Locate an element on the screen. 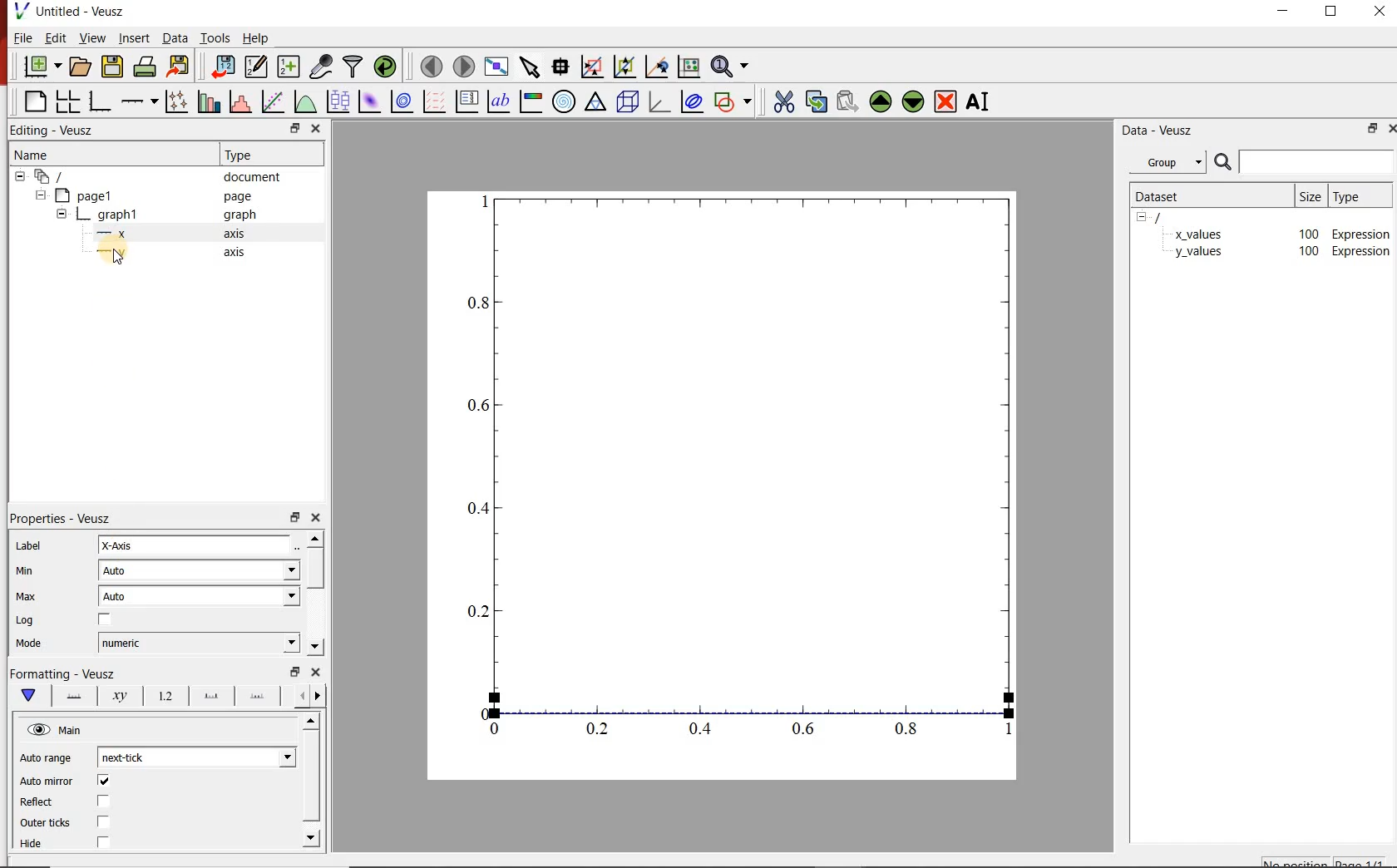  hide is located at coordinates (1147, 218).